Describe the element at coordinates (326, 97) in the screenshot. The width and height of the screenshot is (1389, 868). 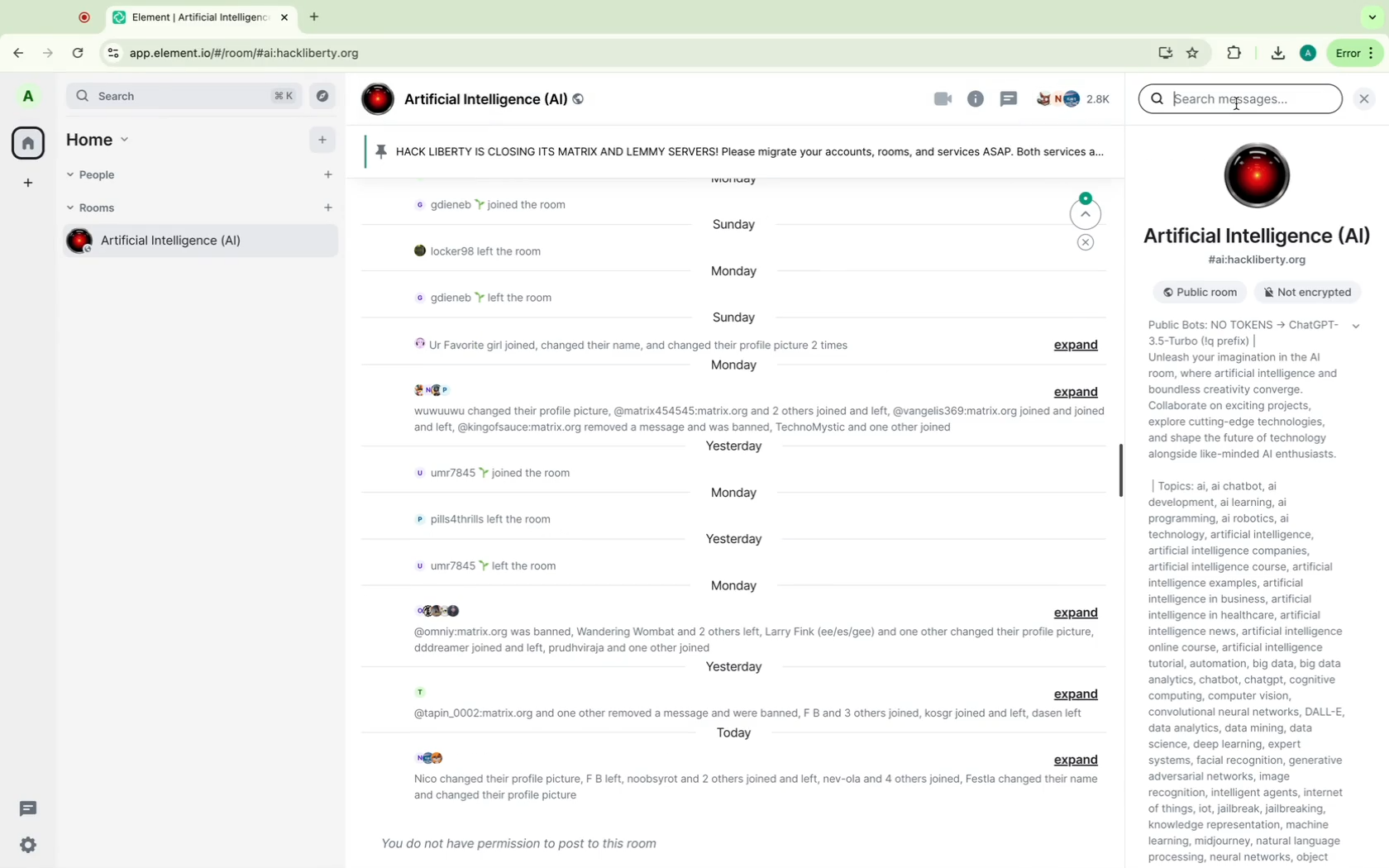
I see `explore rooms` at that location.